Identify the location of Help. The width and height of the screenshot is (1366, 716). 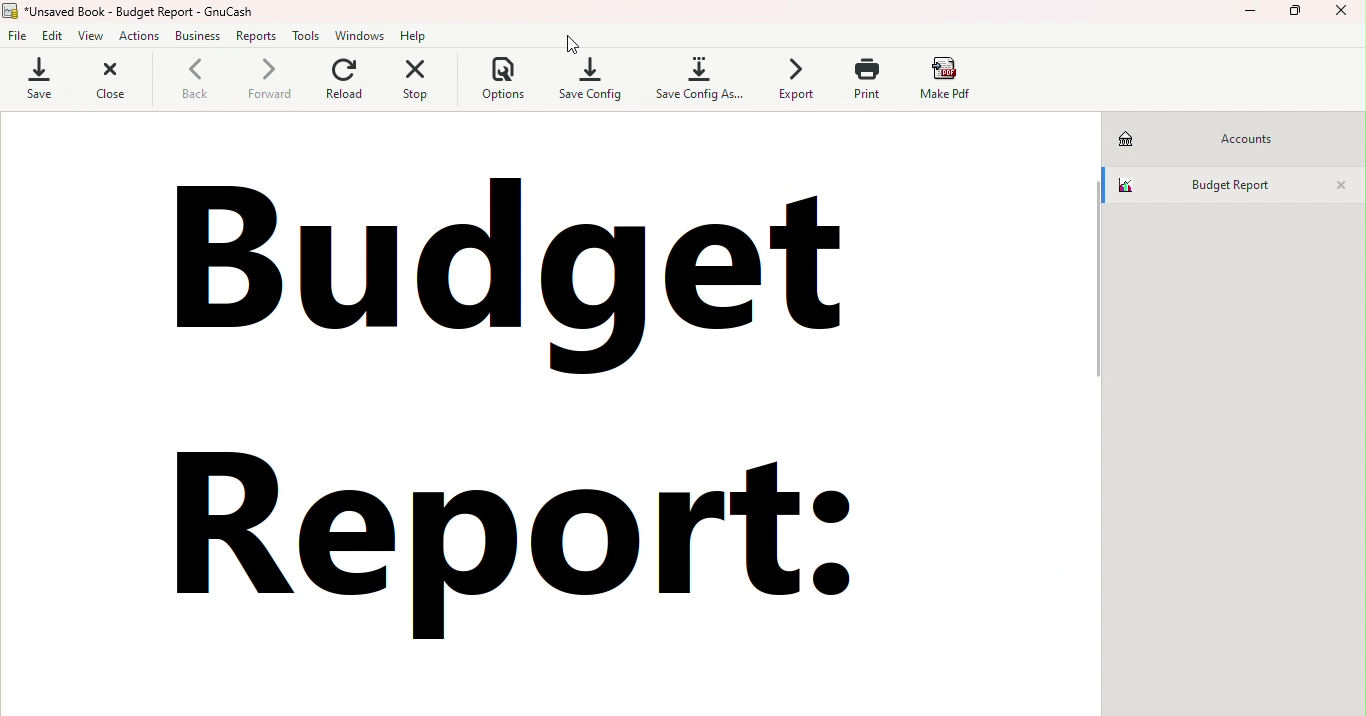
(416, 35).